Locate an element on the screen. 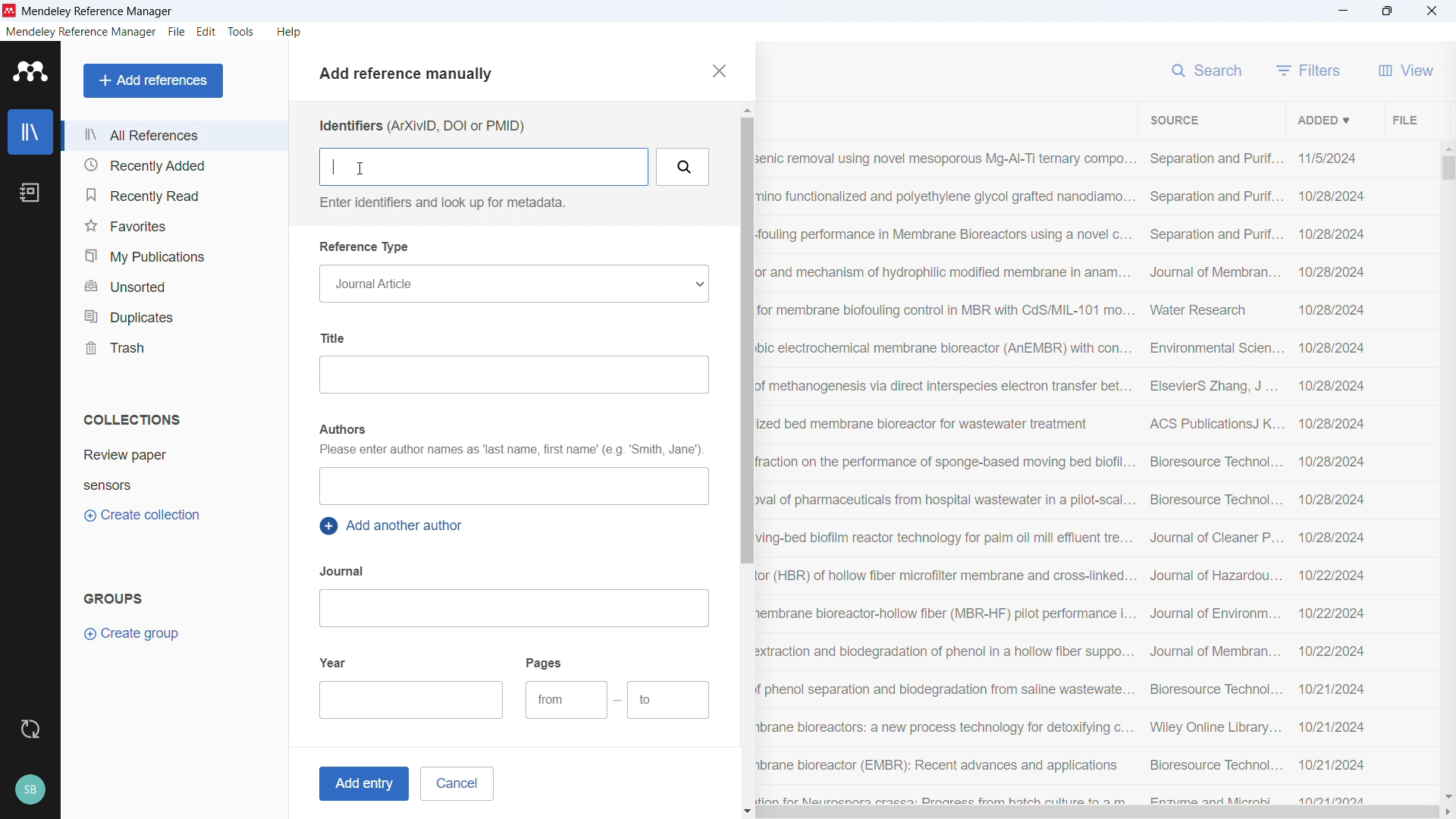 The image size is (1456, 819). Reference type is located at coordinates (366, 247).